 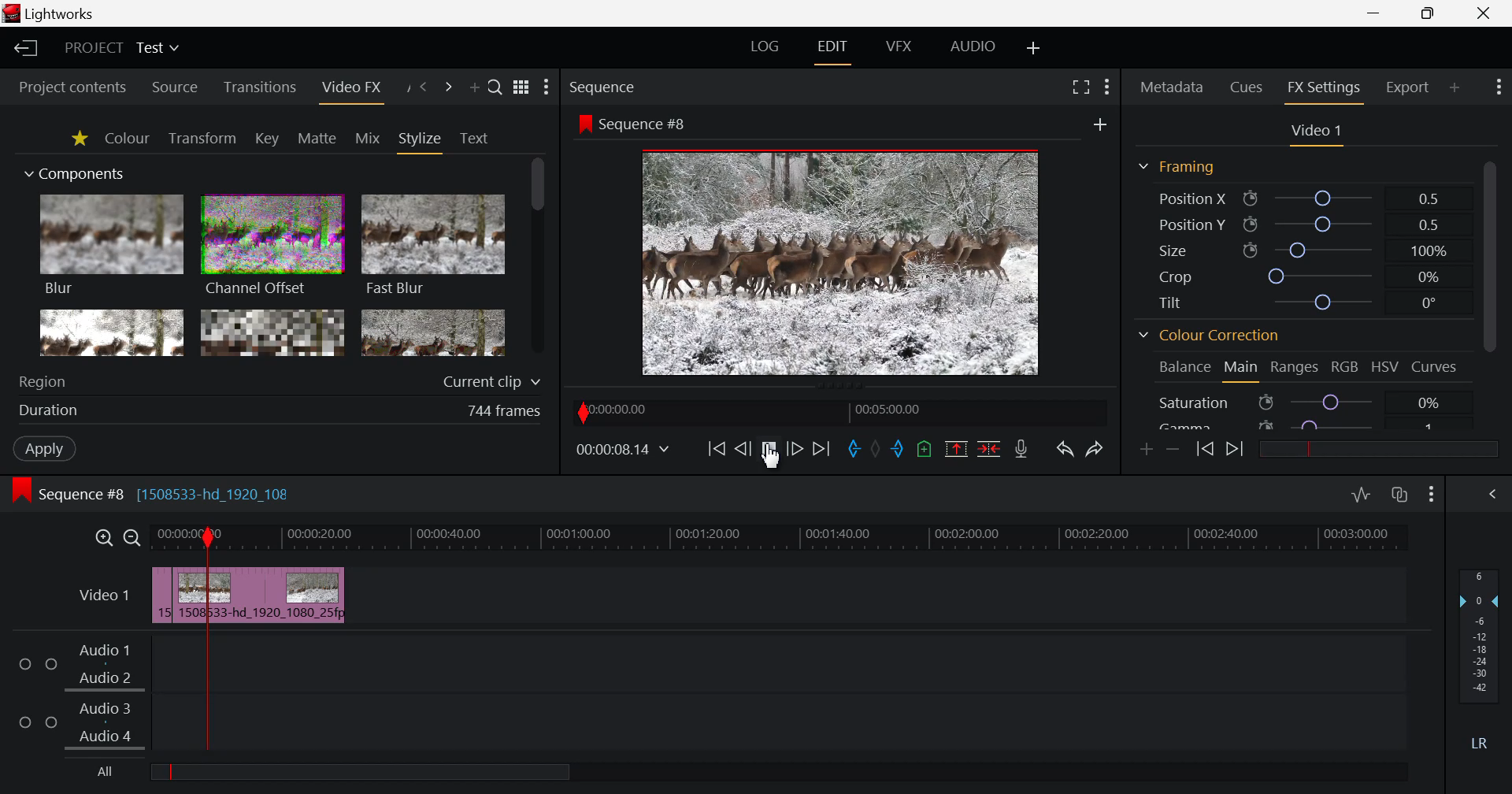 I want to click on Record Voiceover, so click(x=1024, y=449).